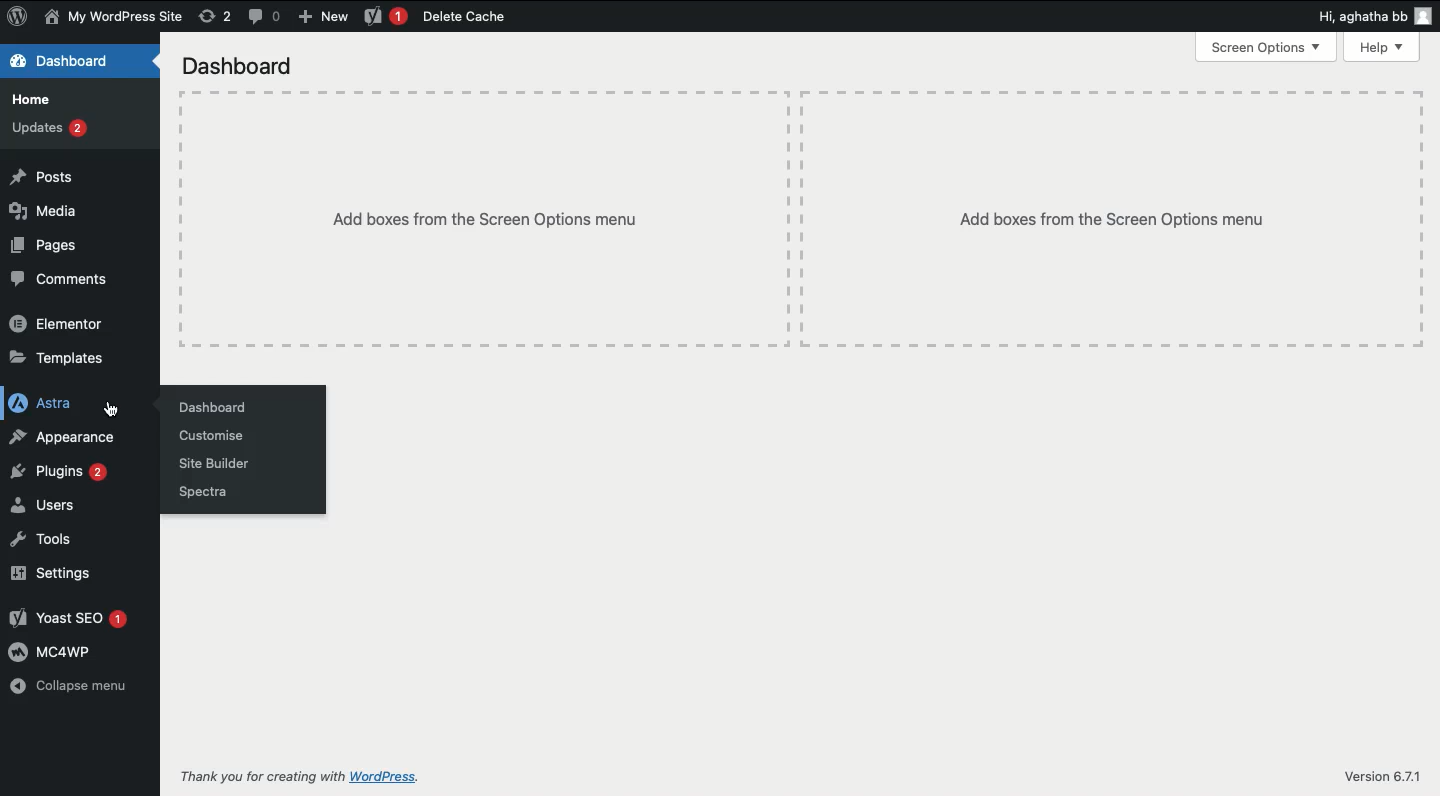 The image size is (1440, 796). What do you see at coordinates (202, 494) in the screenshot?
I see `Spectra` at bounding box center [202, 494].